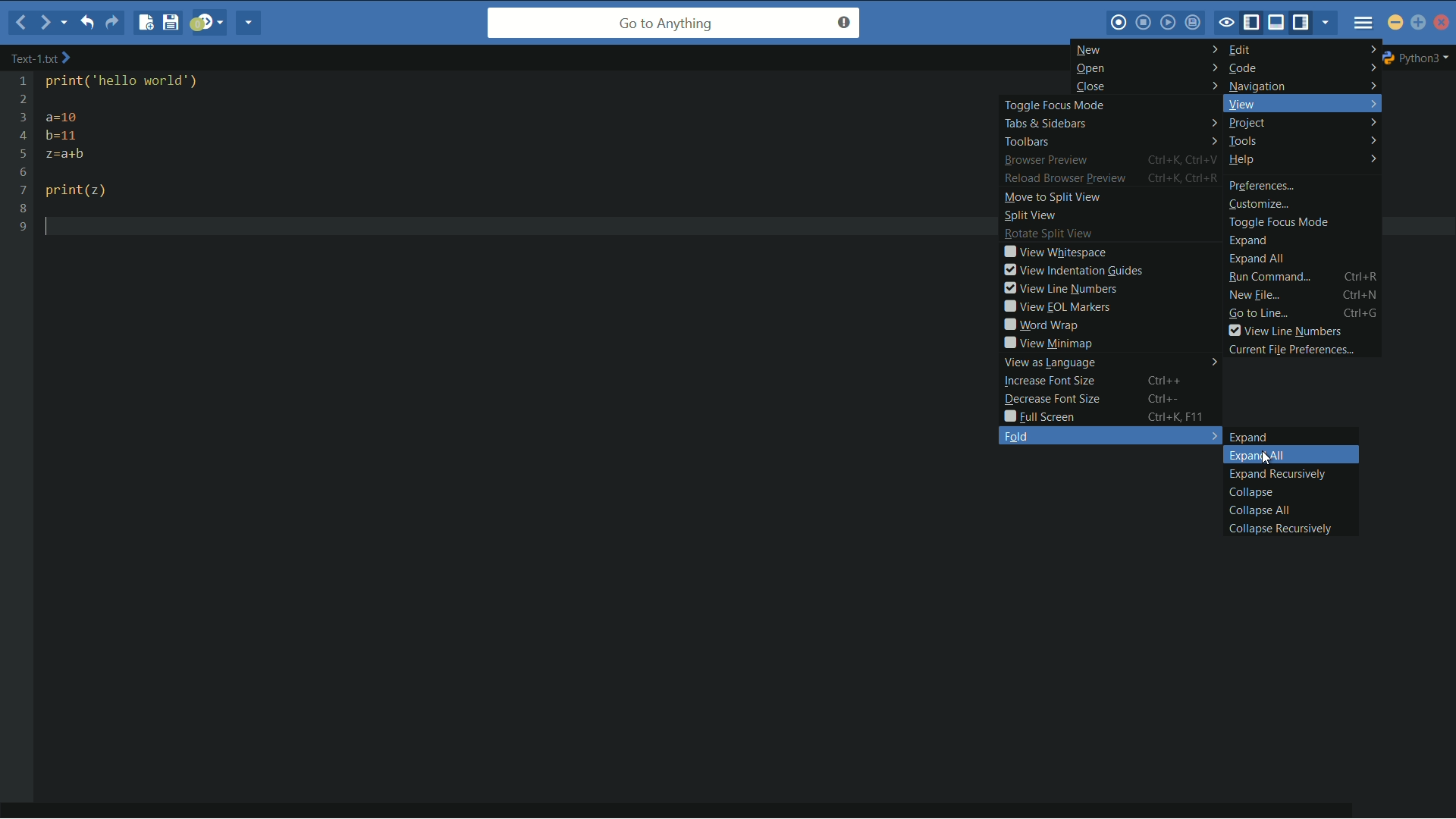 Image resolution: width=1456 pixels, height=819 pixels. I want to click on line numbers, so click(22, 154).